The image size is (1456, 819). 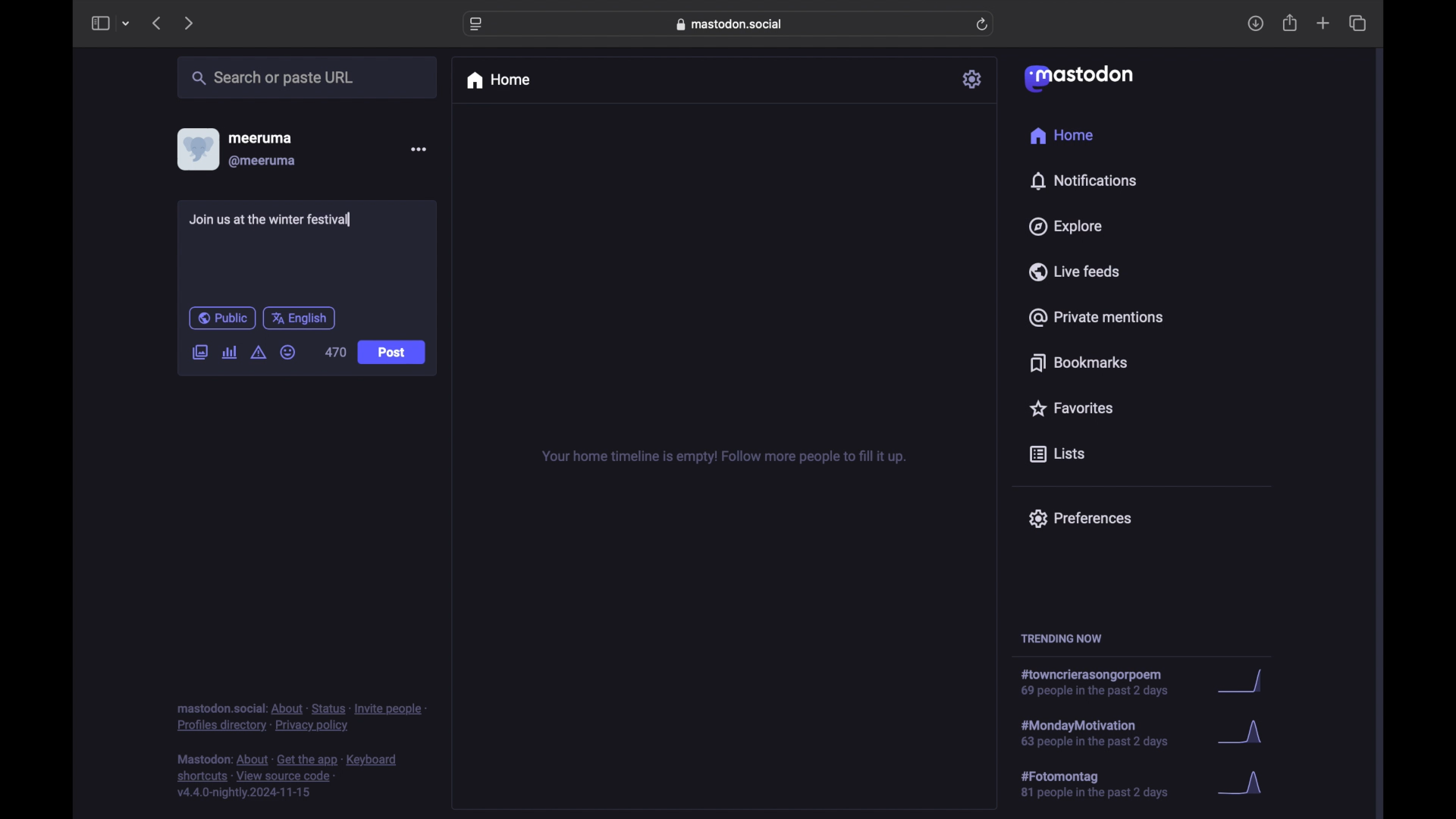 I want to click on display picture, so click(x=196, y=149).